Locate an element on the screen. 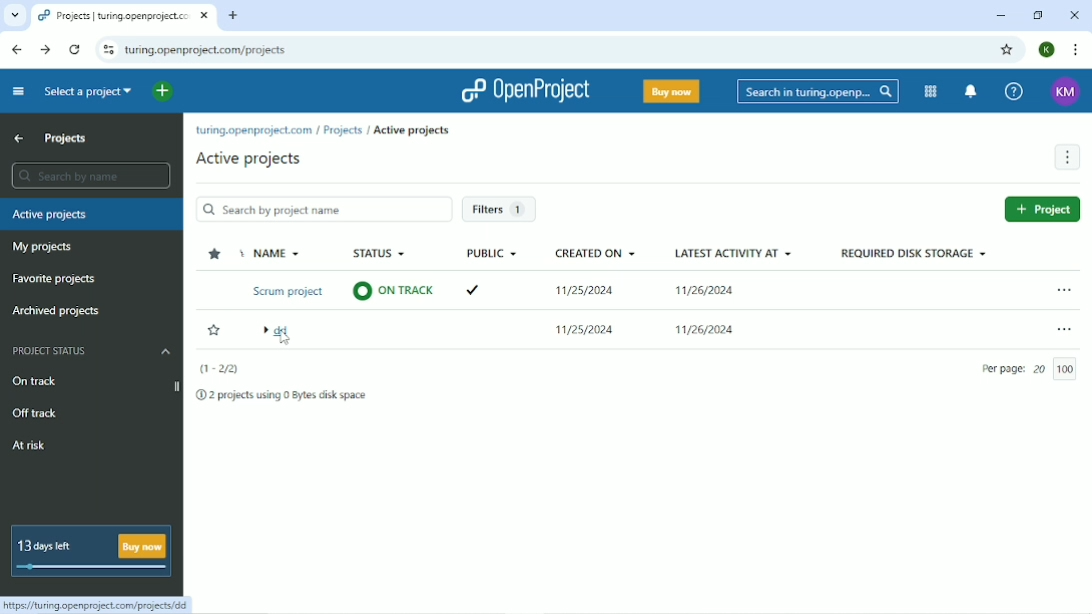 Image resolution: width=1092 pixels, height=614 pixels. 13 days left buy noq is located at coordinates (92, 550).